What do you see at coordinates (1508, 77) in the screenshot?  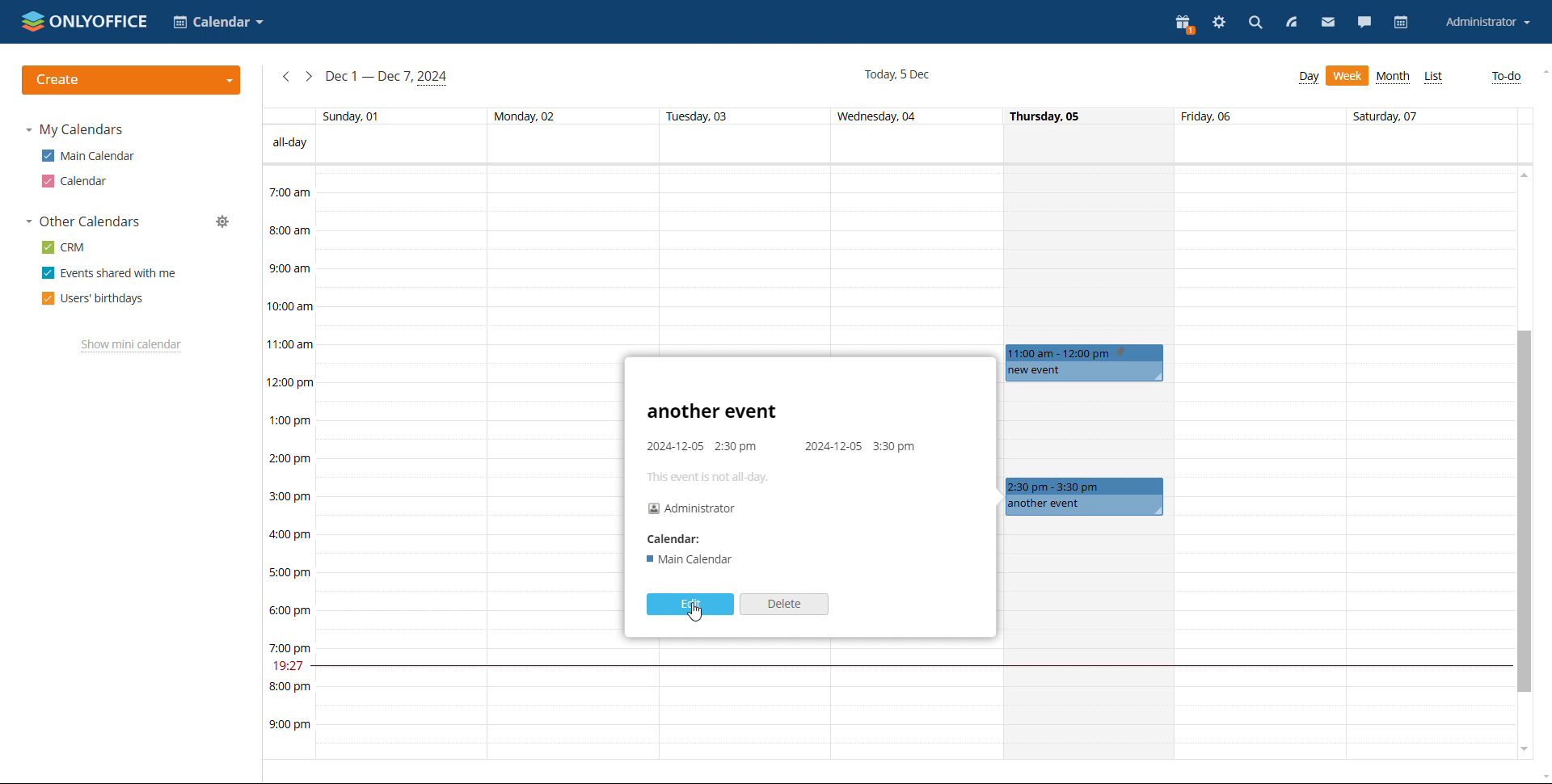 I see `to-do` at bounding box center [1508, 77].